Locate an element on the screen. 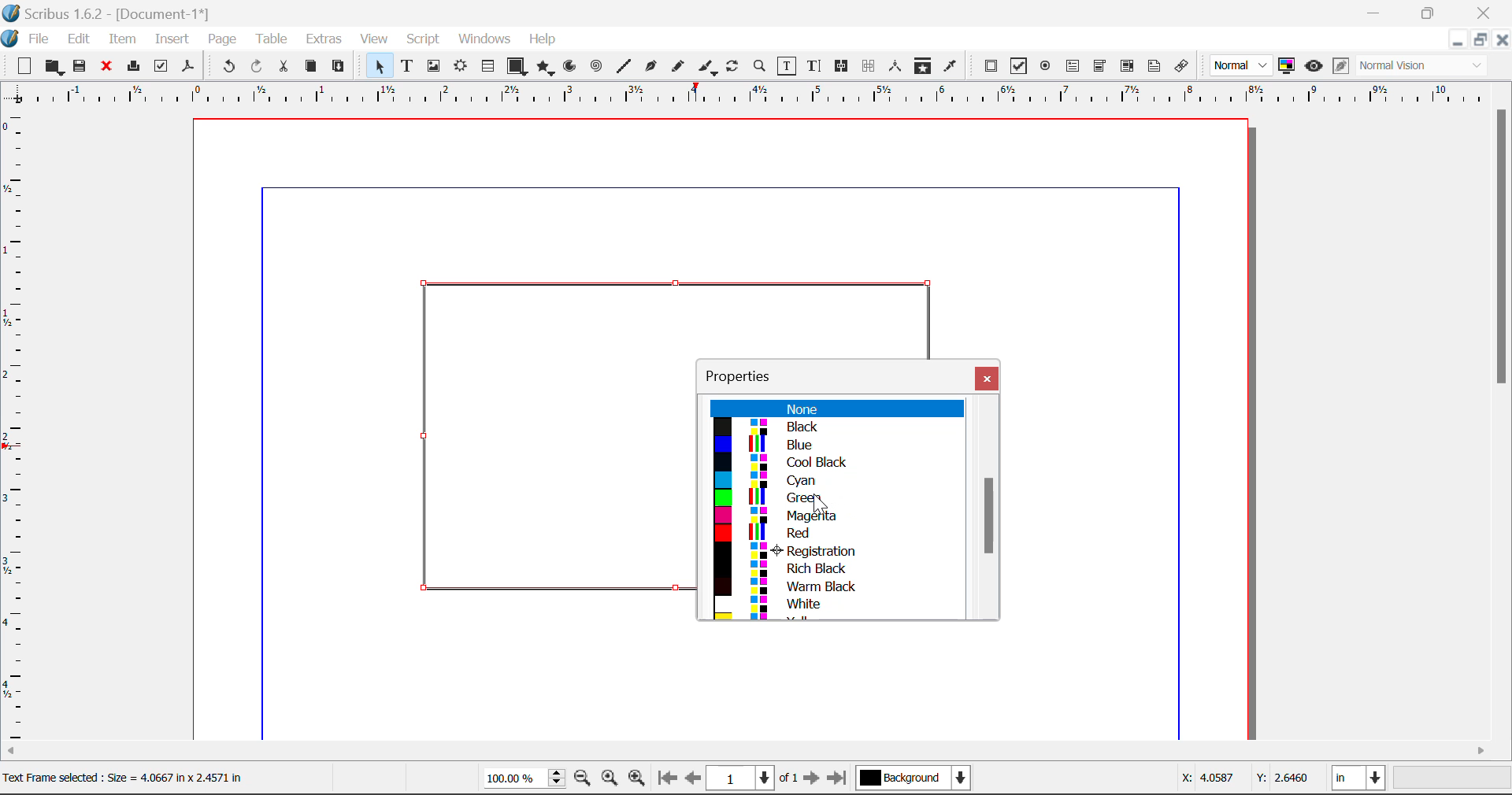  Copy is located at coordinates (310, 66).